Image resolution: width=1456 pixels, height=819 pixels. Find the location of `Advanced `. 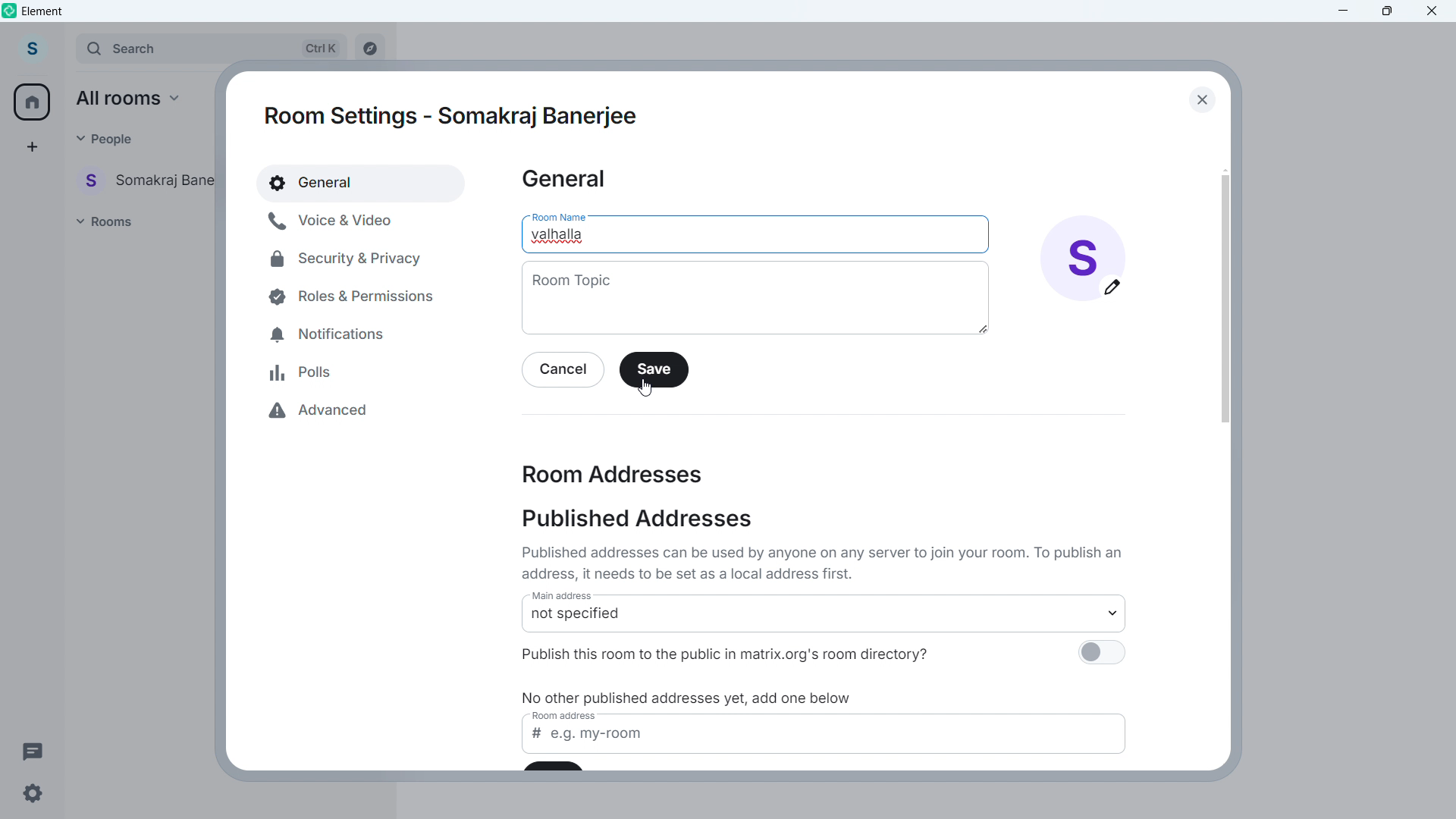

Advanced  is located at coordinates (330, 412).